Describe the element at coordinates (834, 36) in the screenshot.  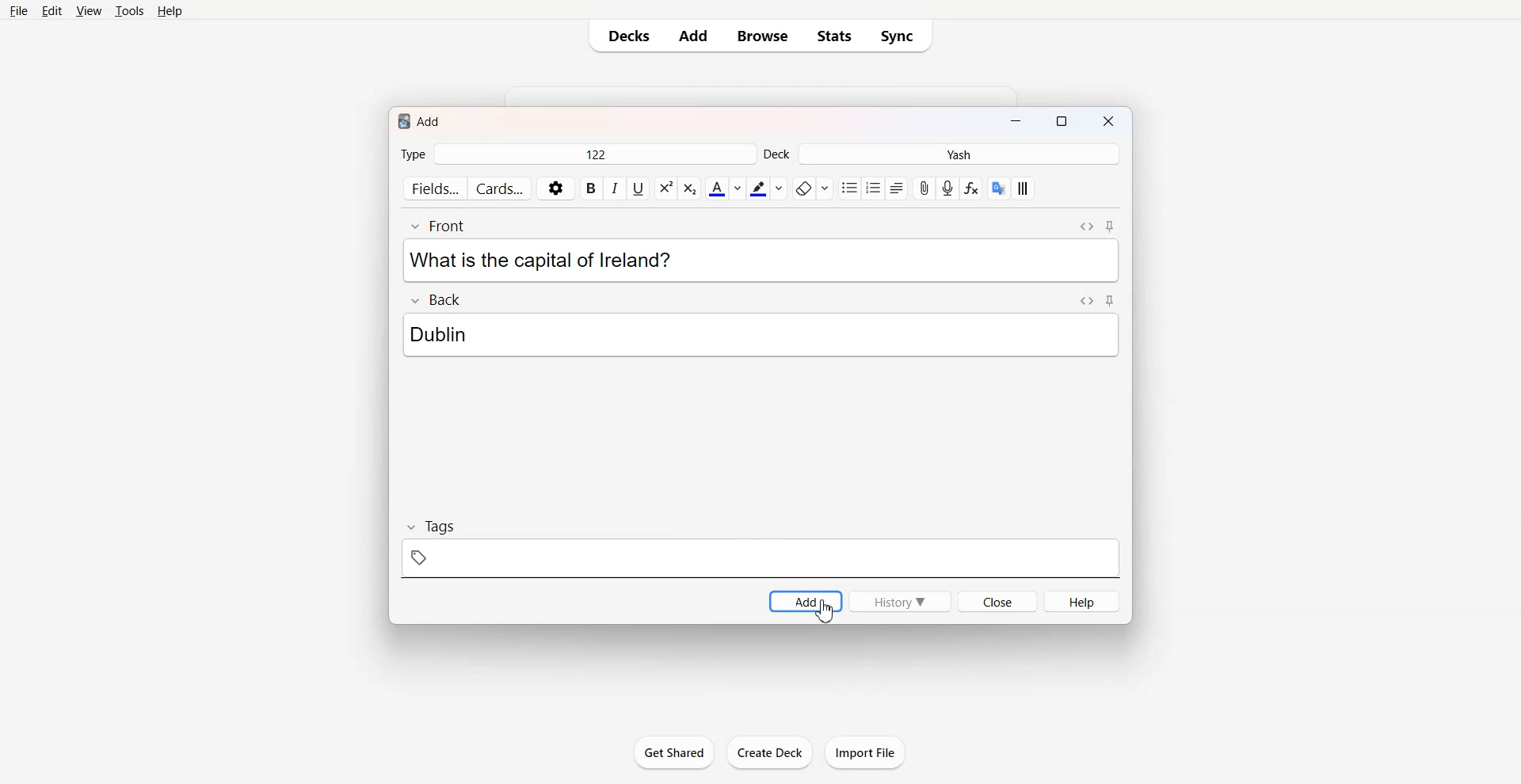
I see `Stats` at that location.